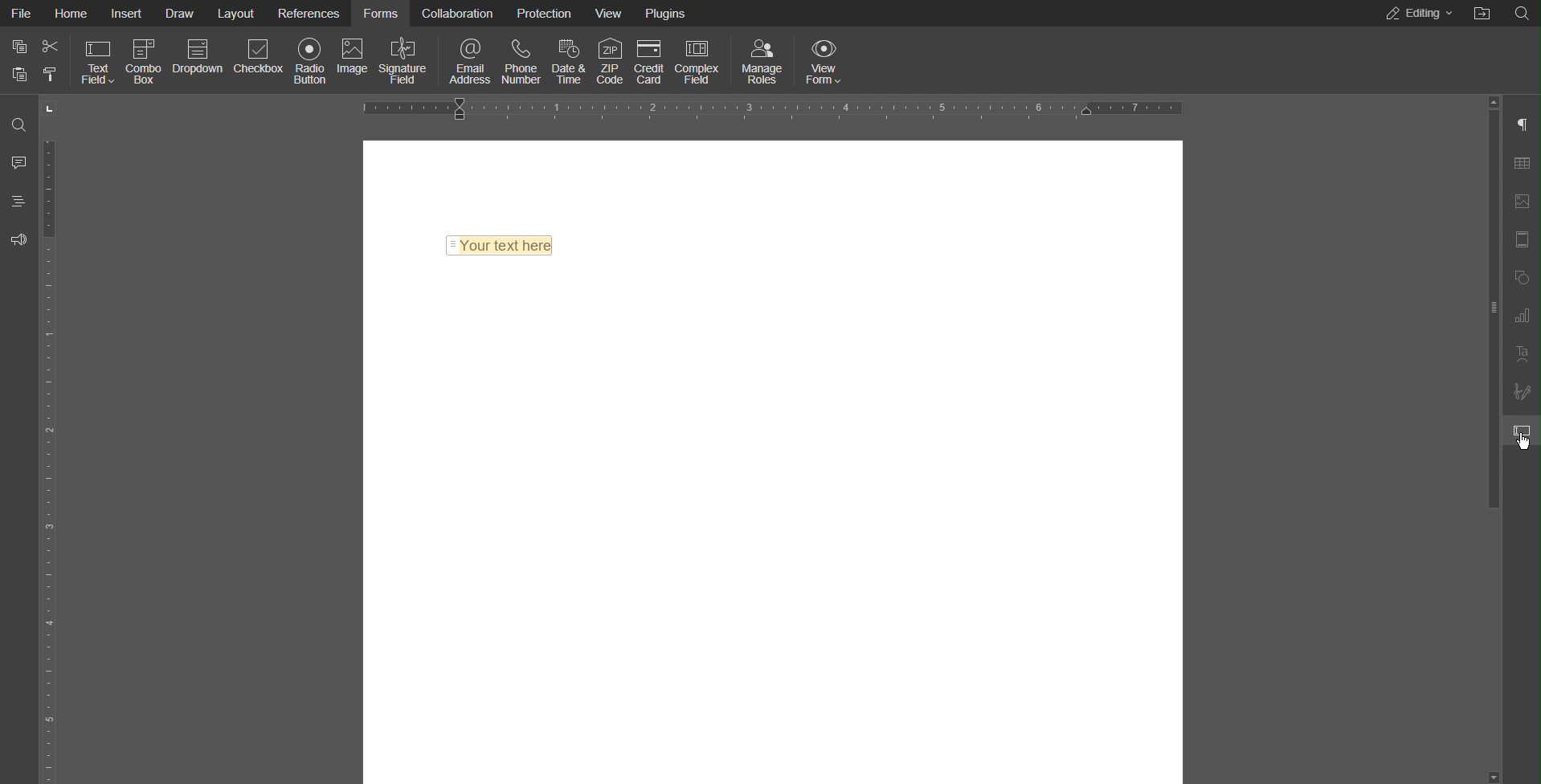 The height and width of the screenshot is (784, 1541). What do you see at coordinates (18, 238) in the screenshot?
I see `Feedback and Support` at bounding box center [18, 238].